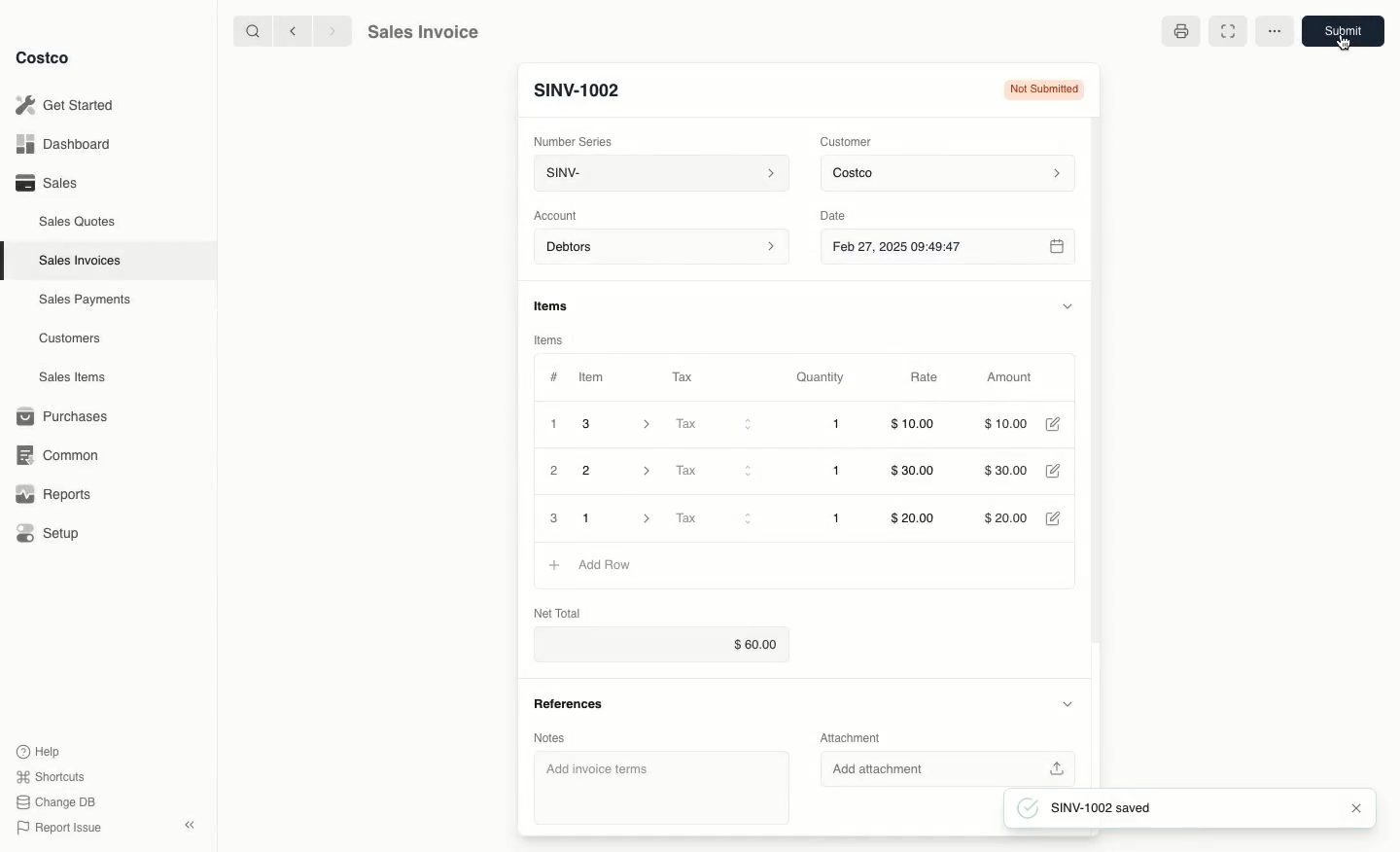 The width and height of the screenshot is (1400, 852). What do you see at coordinates (662, 248) in the screenshot?
I see `Debtors` at bounding box center [662, 248].